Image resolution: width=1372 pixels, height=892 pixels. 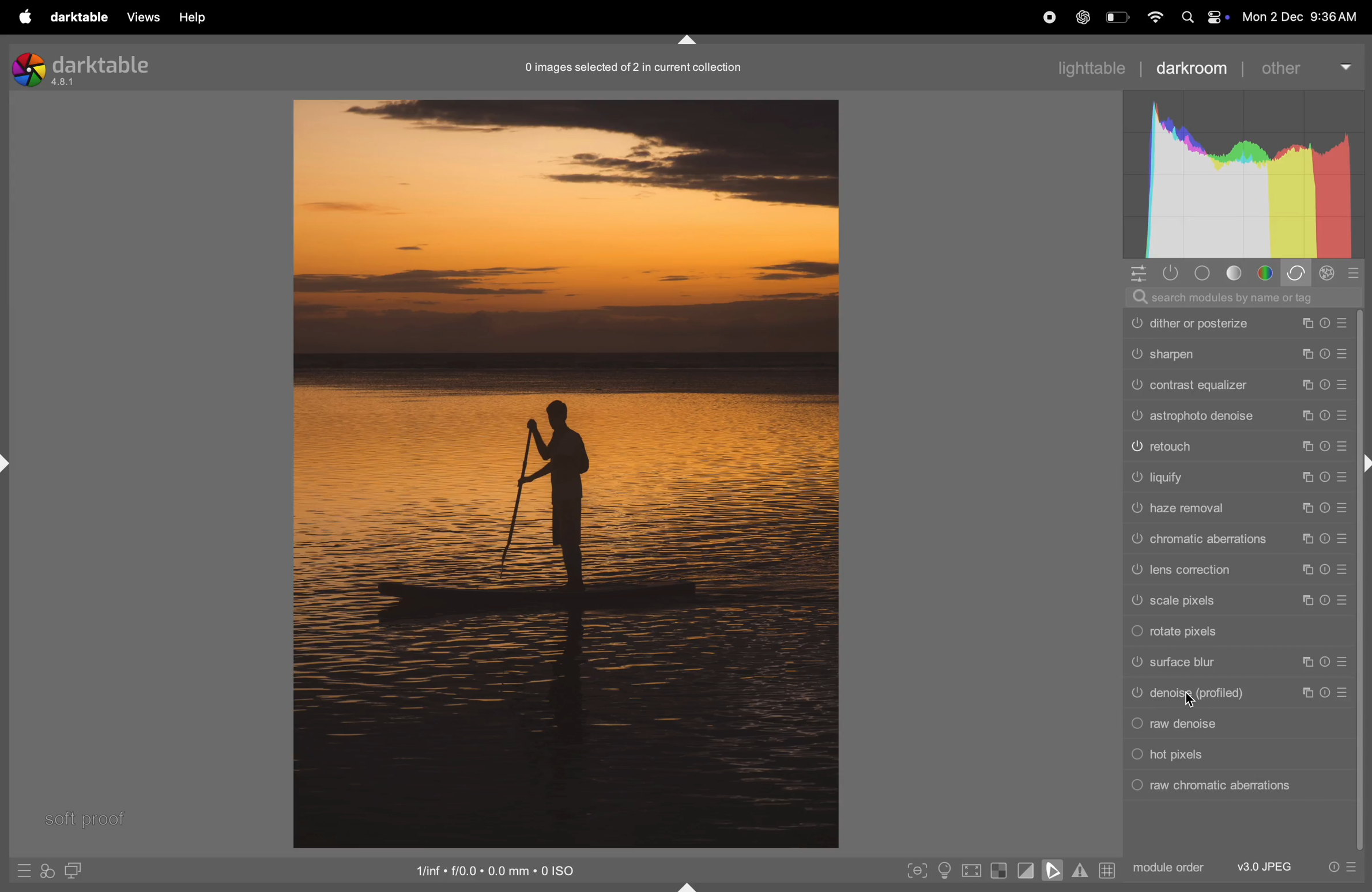 I want to click on views, so click(x=142, y=17).